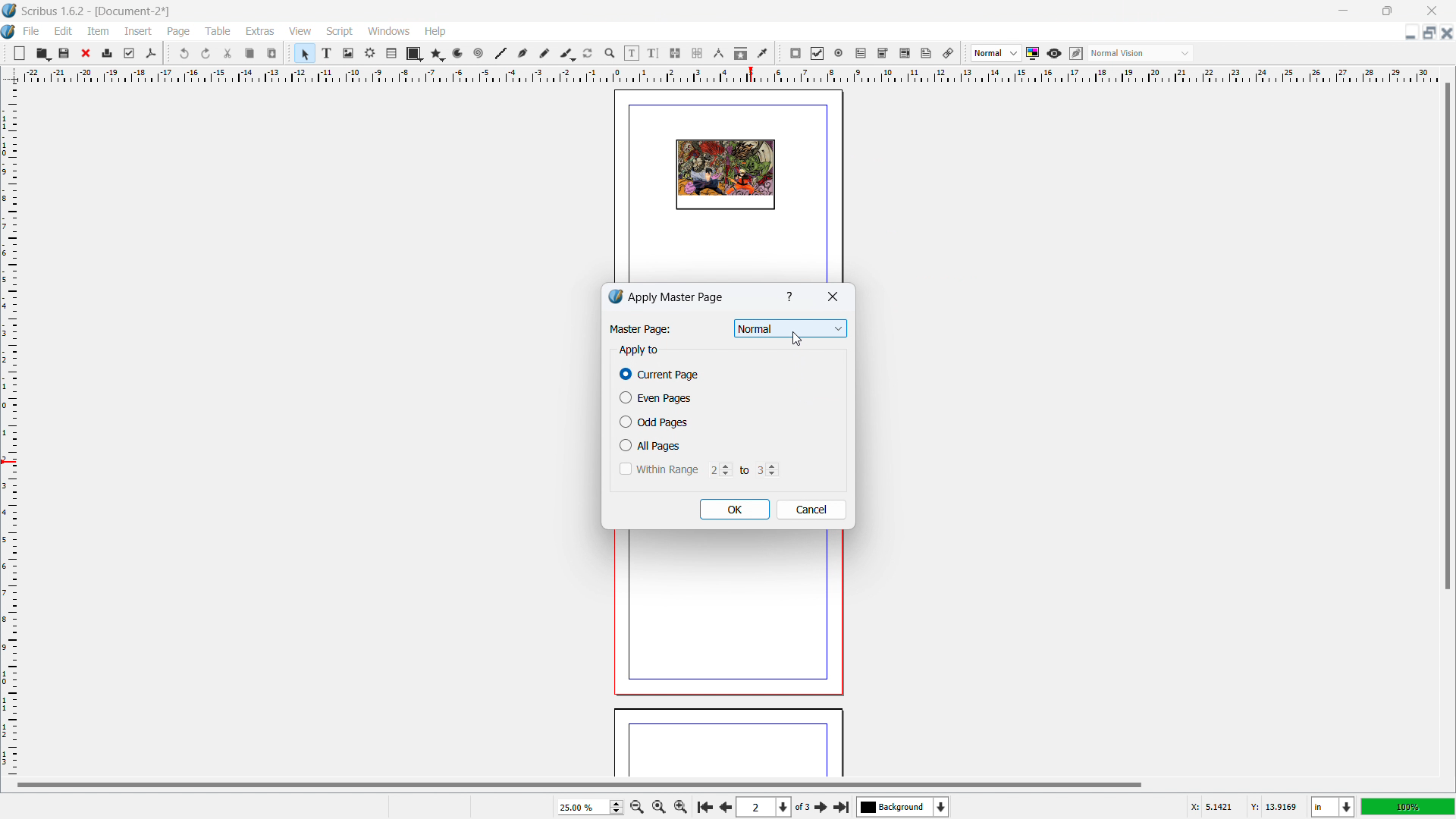  What do you see at coordinates (180, 32) in the screenshot?
I see `page` at bounding box center [180, 32].